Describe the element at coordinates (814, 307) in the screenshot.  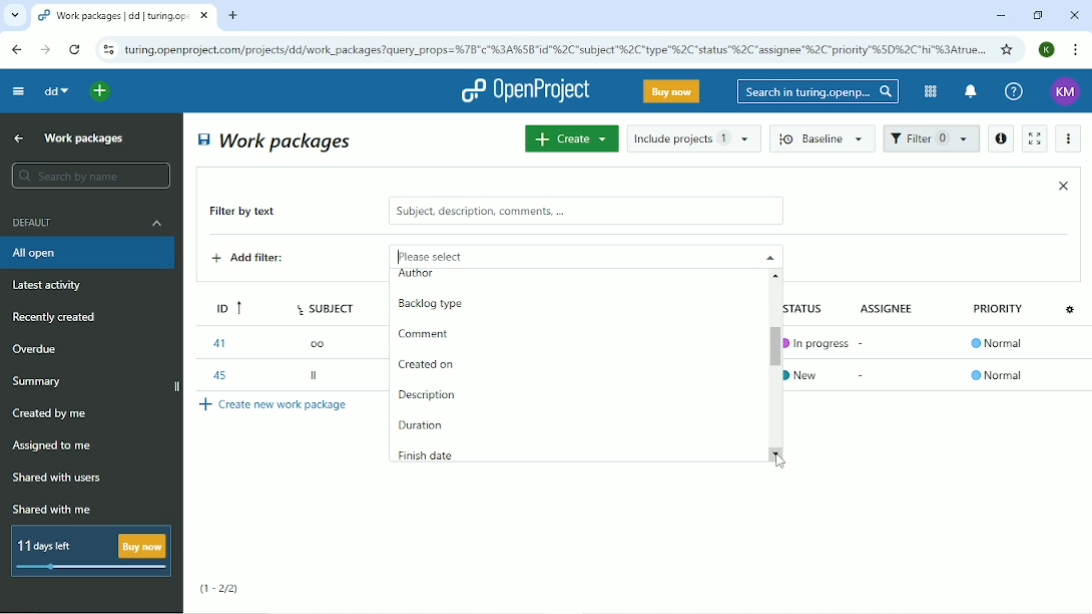
I see `Status` at that location.